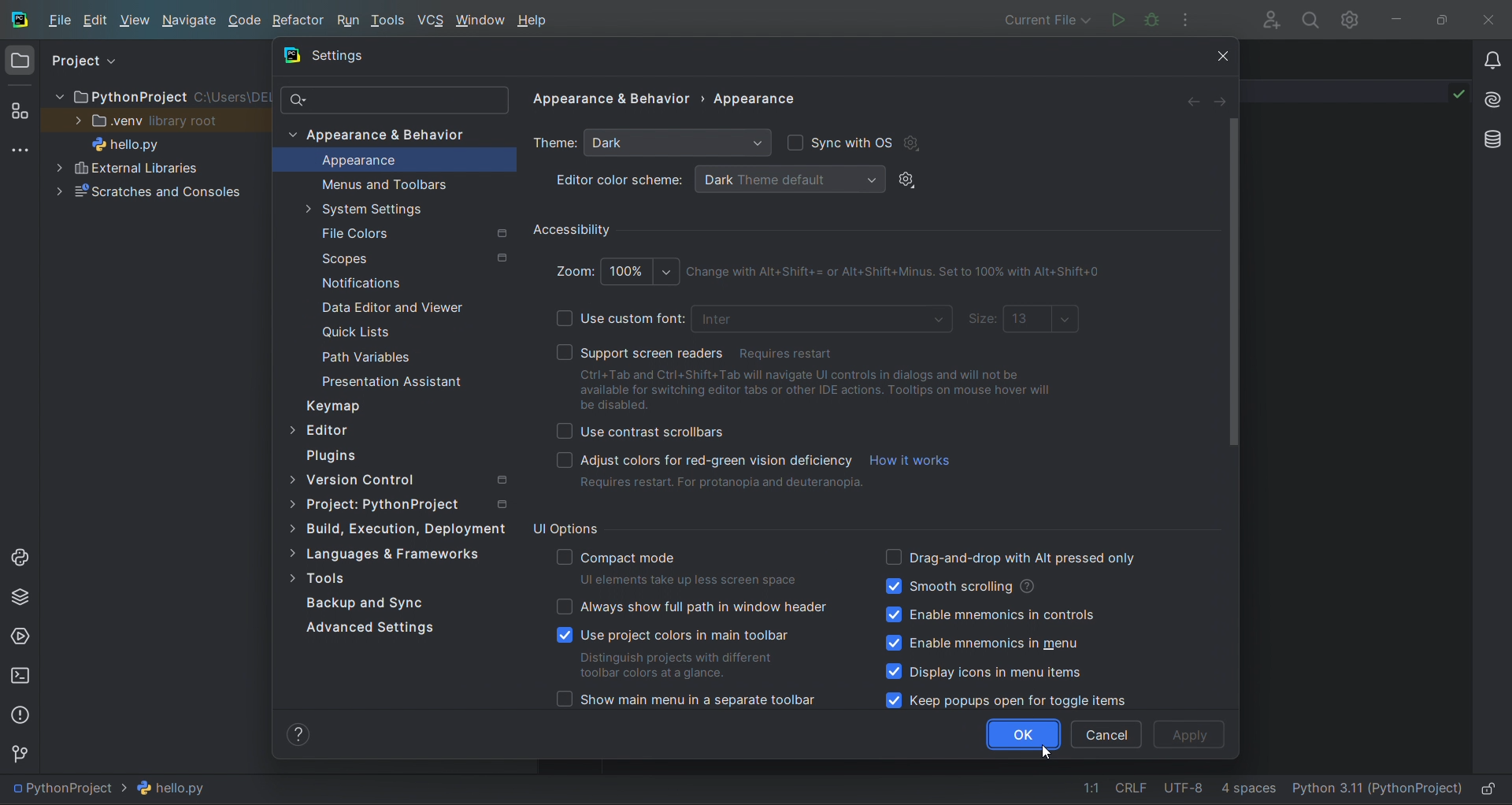 The width and height of the screenshot is (1512, 805). What do you see at coordinates (301, 735) in the screenshot?
I see `help` at bounding box center [301, 735].